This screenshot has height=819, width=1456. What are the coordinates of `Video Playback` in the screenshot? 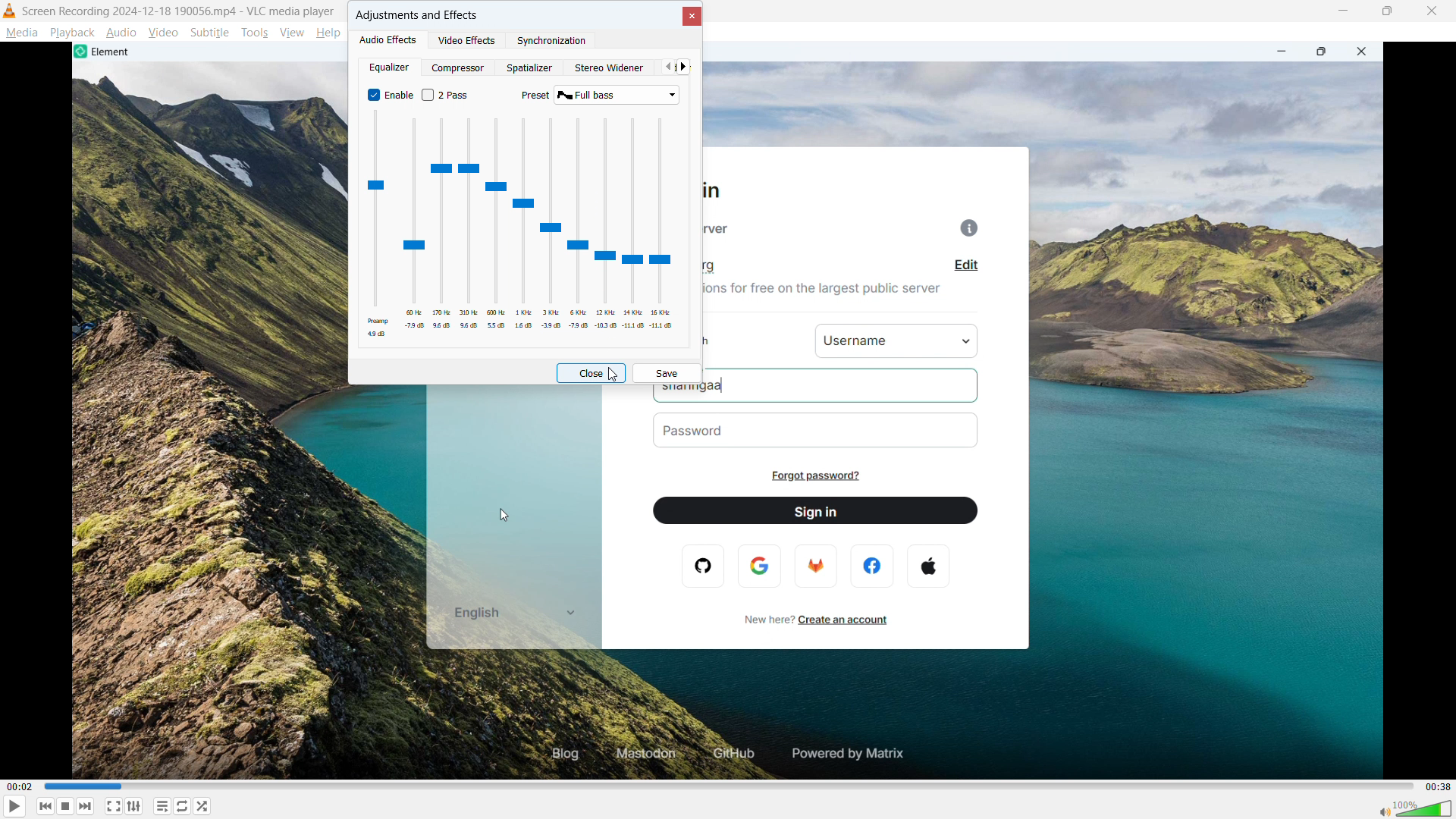 It's located at (730, 582).